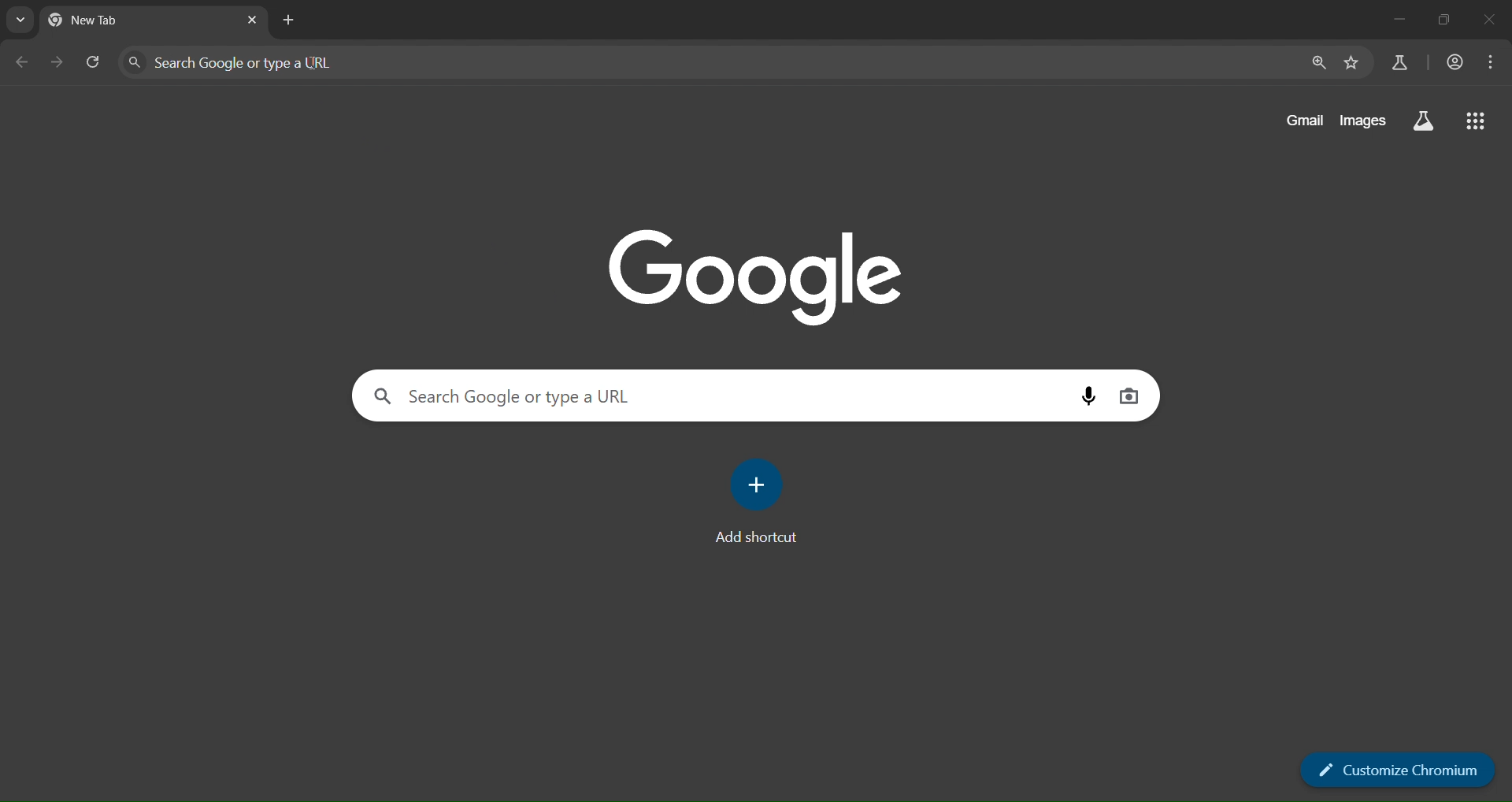  What do you see at coordinates (20, 21) in the screenshot?
I see `search tabs` at bounding box center [20, 21].